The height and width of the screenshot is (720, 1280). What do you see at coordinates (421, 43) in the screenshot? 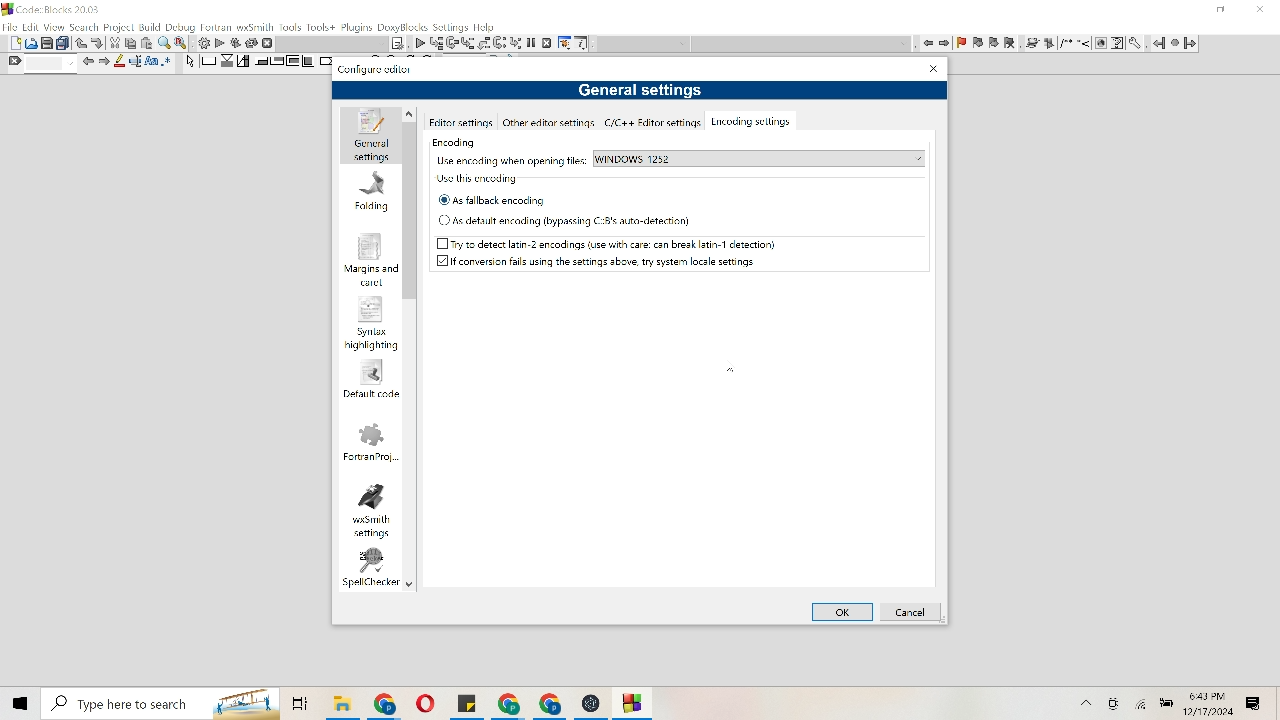
I see `Play` at bounding box center [421, 43].